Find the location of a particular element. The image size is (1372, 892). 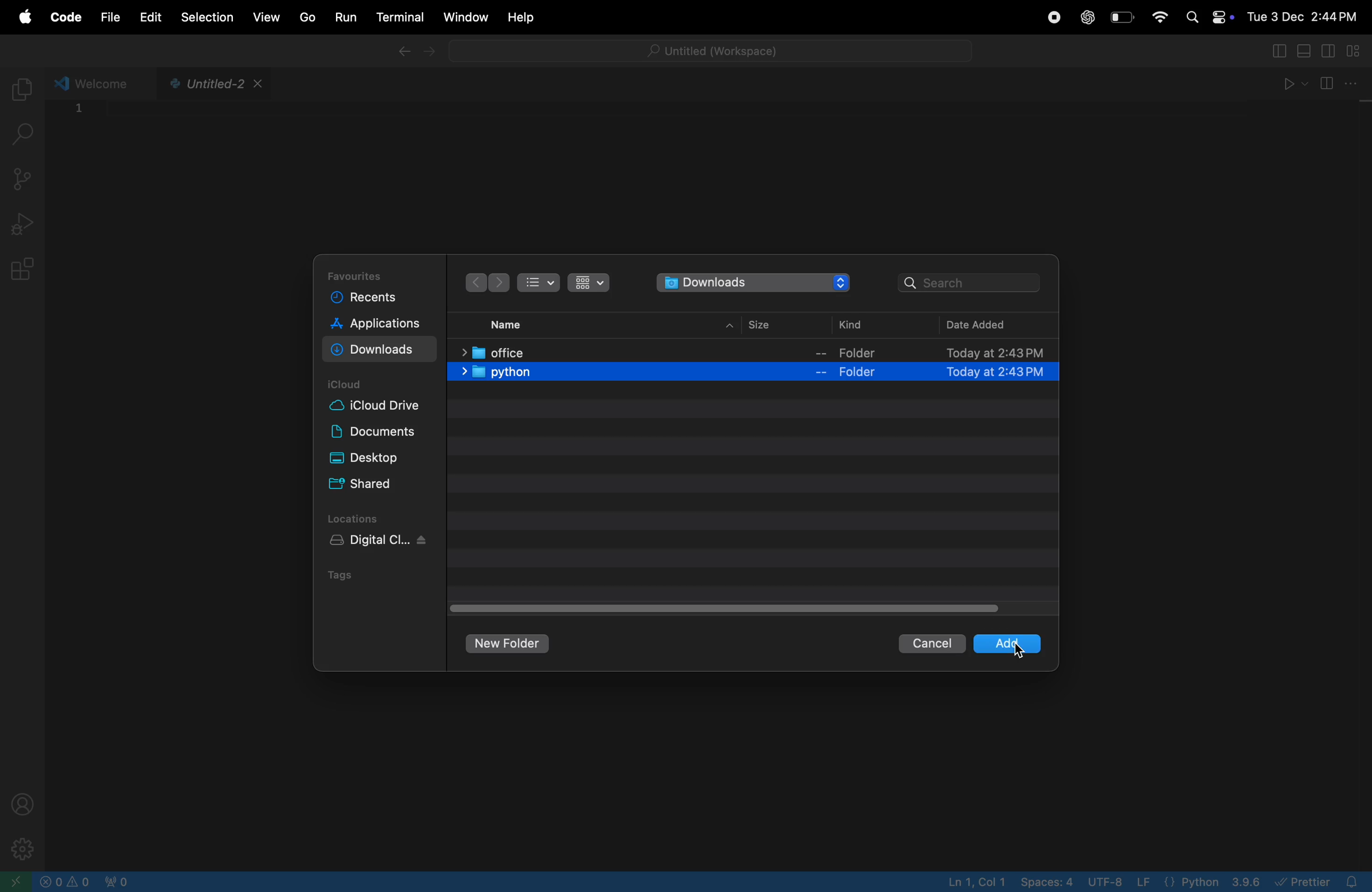

size is located at coordinates (755, 324).